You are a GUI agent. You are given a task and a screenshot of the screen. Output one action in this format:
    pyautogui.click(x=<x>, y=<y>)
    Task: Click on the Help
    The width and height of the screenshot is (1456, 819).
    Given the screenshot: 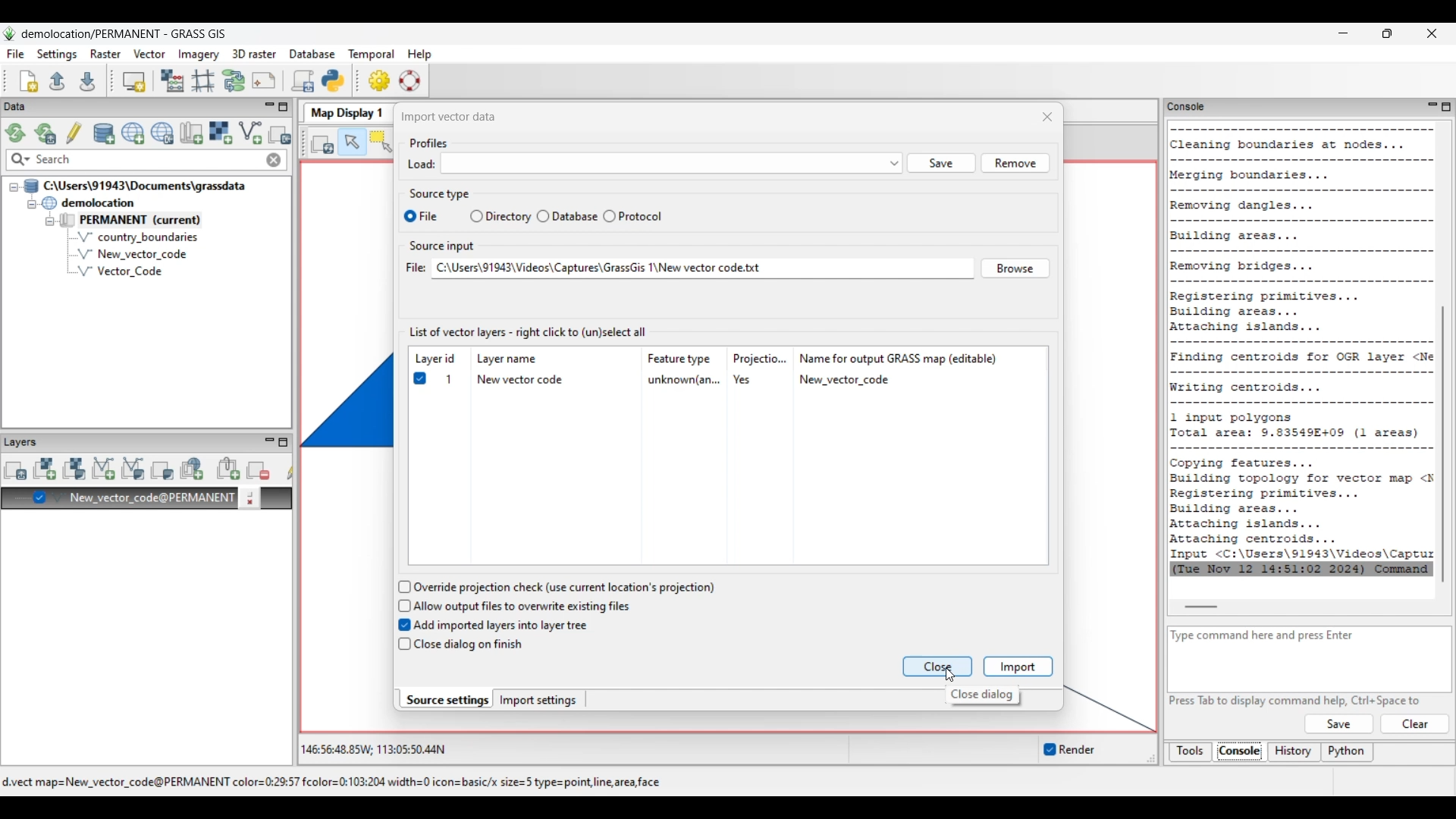 What is the action you would take?
    pyautogui.click(x=1338, y=724)
    